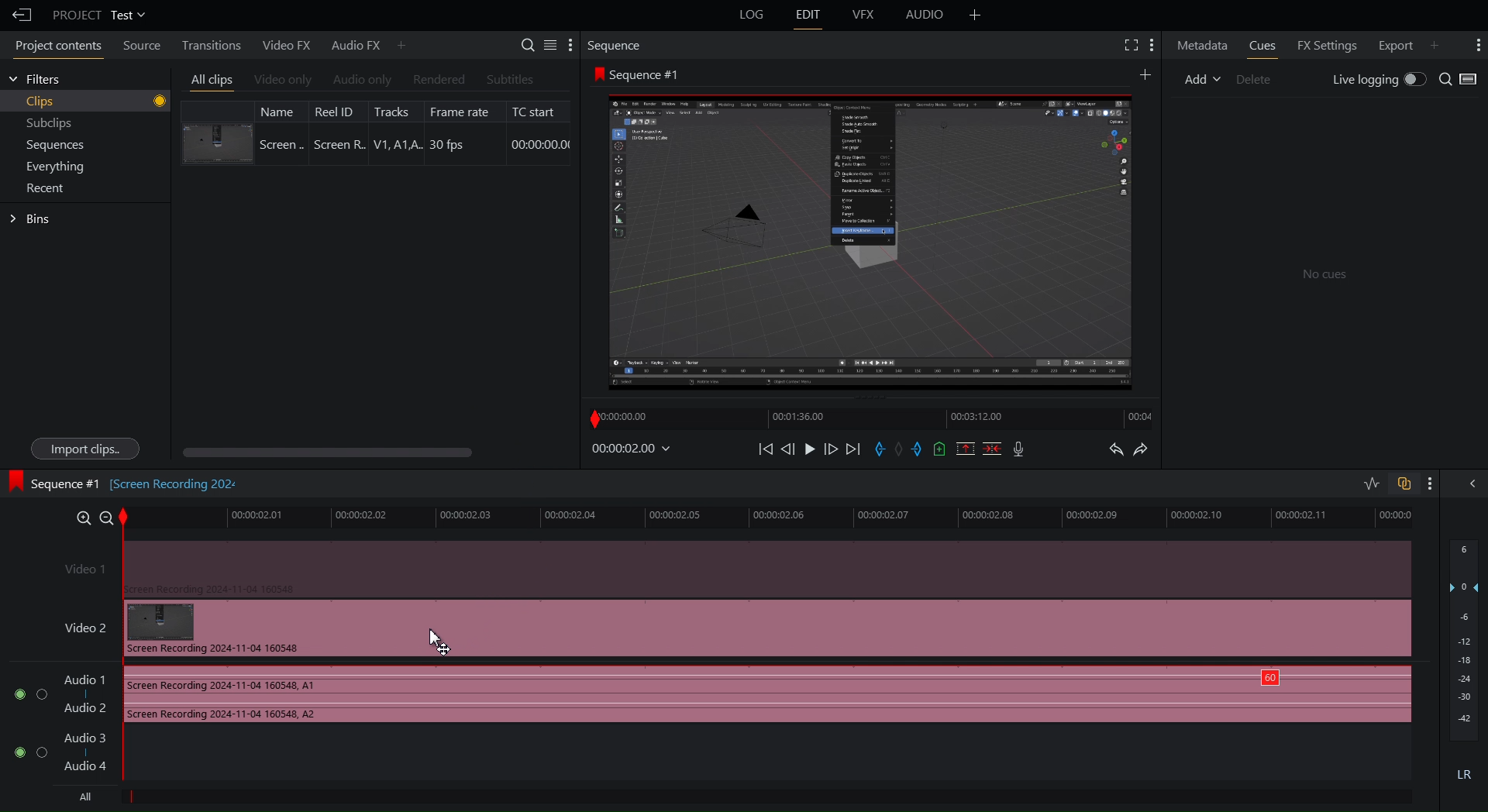  Describe the element at coordinates (548, 44) in the screenshot. I see `Settings` at that location.